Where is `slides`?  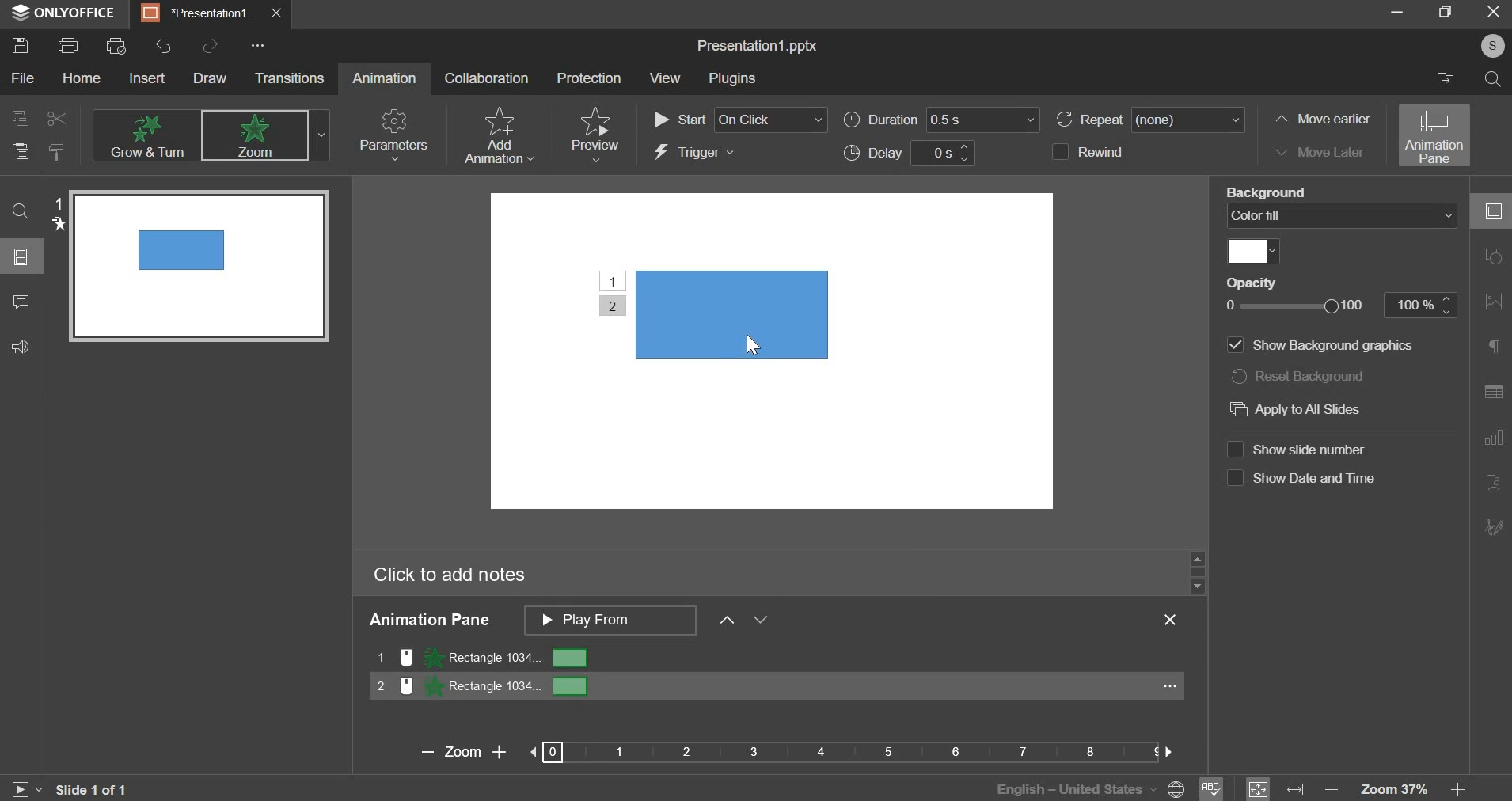 slides is located at coordinates (23, 256).